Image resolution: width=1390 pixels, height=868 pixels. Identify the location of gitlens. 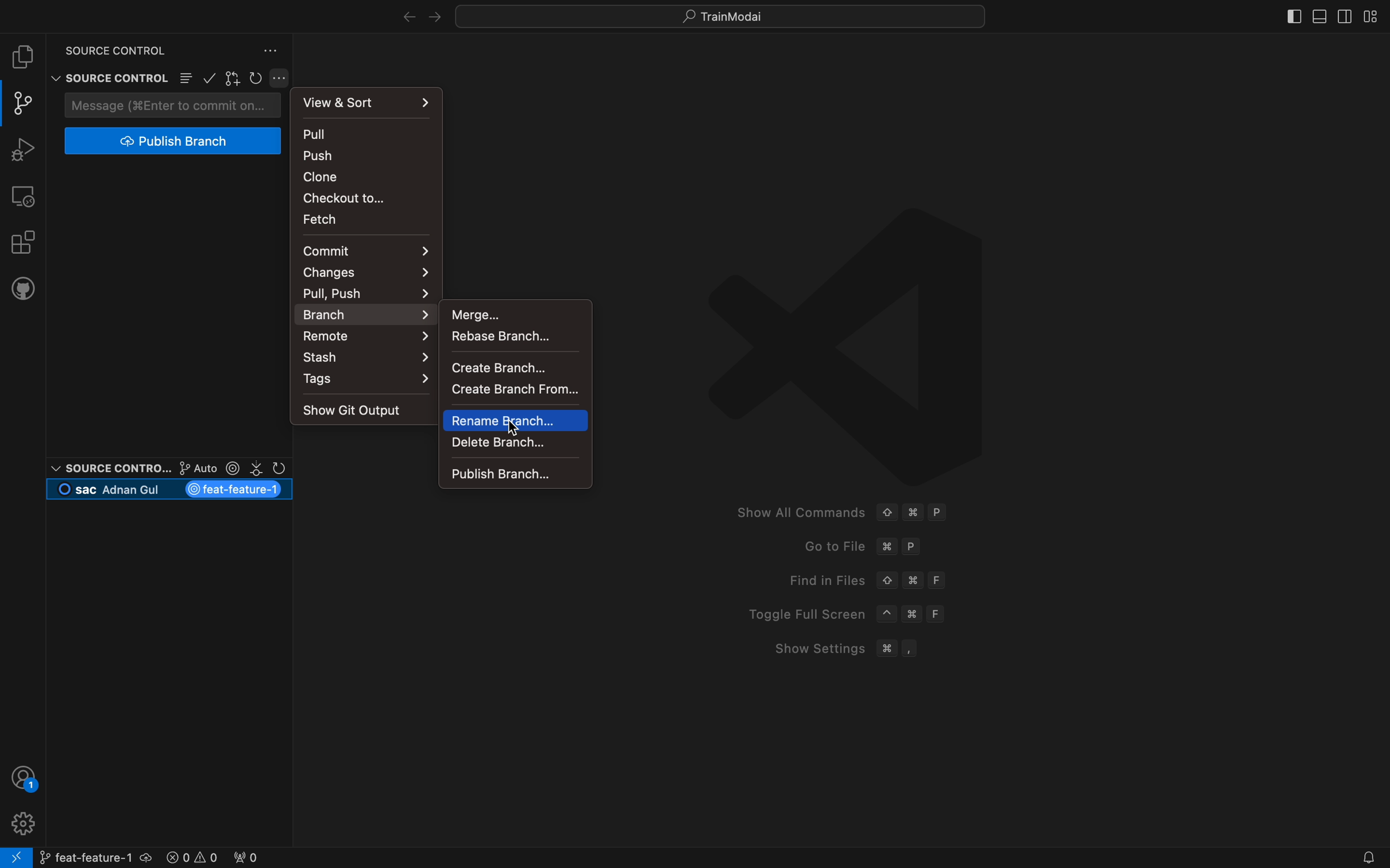
(234, 79).